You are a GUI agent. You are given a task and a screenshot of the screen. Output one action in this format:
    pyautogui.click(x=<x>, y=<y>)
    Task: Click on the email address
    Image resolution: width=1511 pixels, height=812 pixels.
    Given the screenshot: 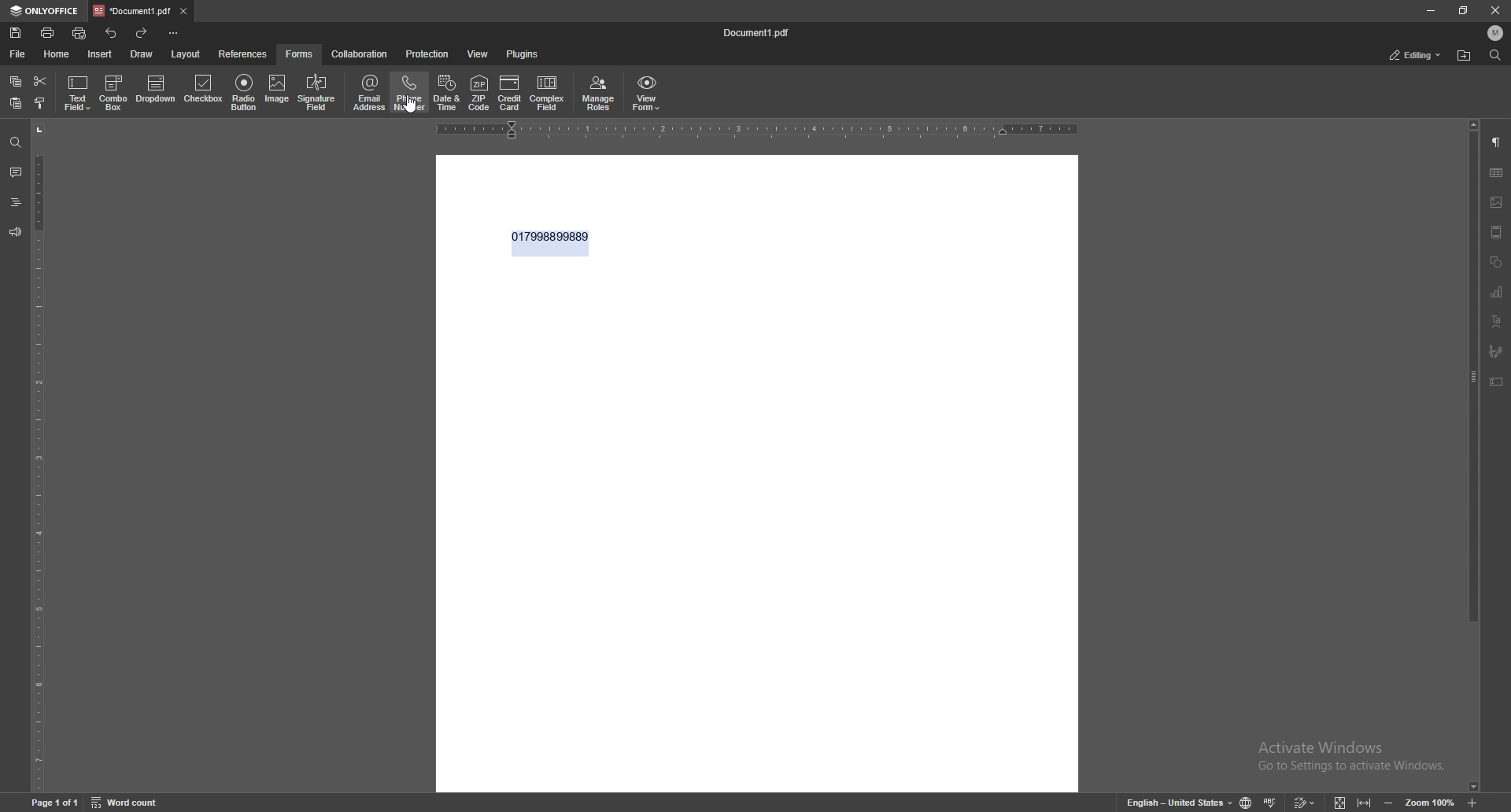 What is the action you would take?
    pyautogui.click(x=369, y=92)
    